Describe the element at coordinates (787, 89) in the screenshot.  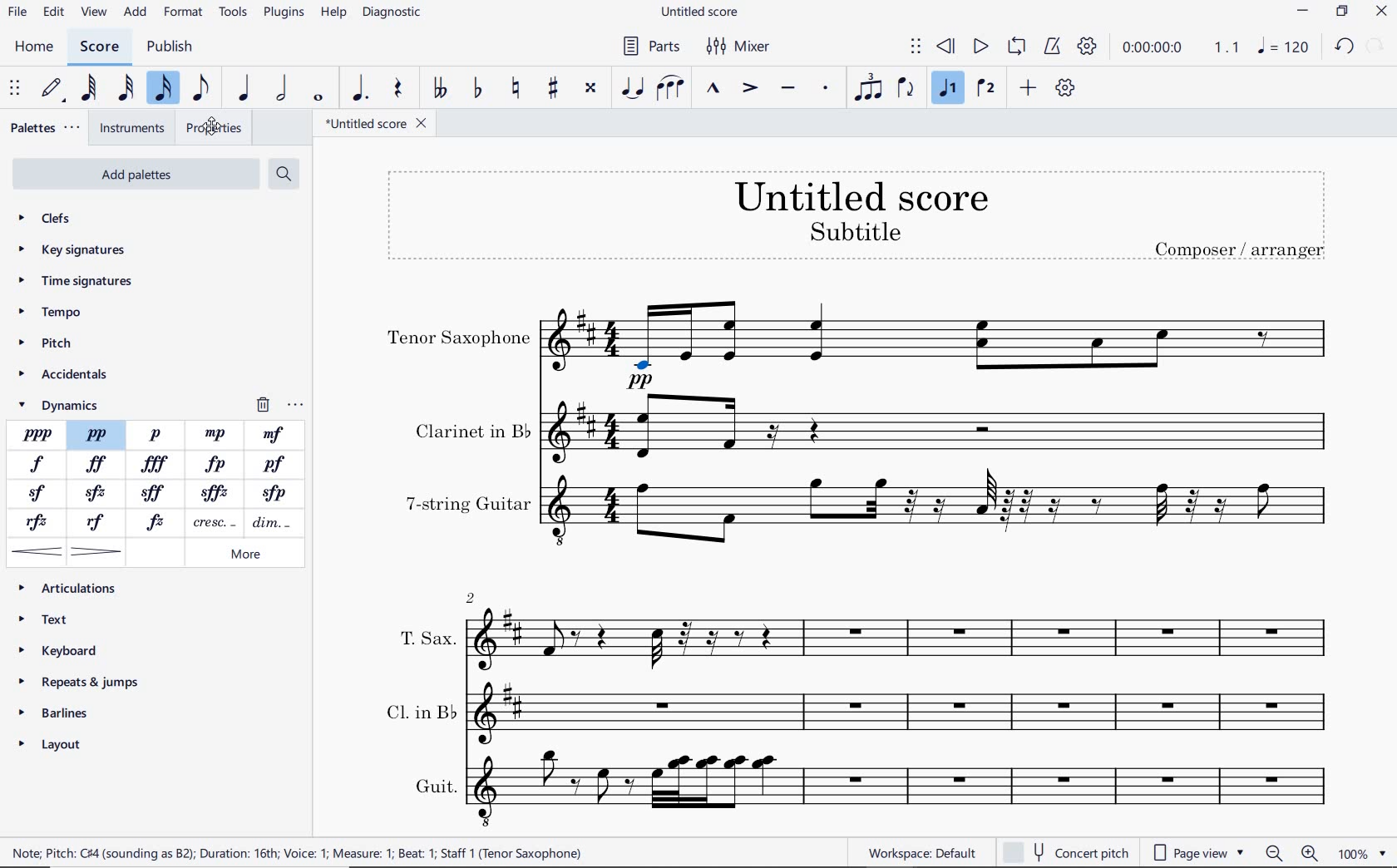
I see `TENUTO` at that location.